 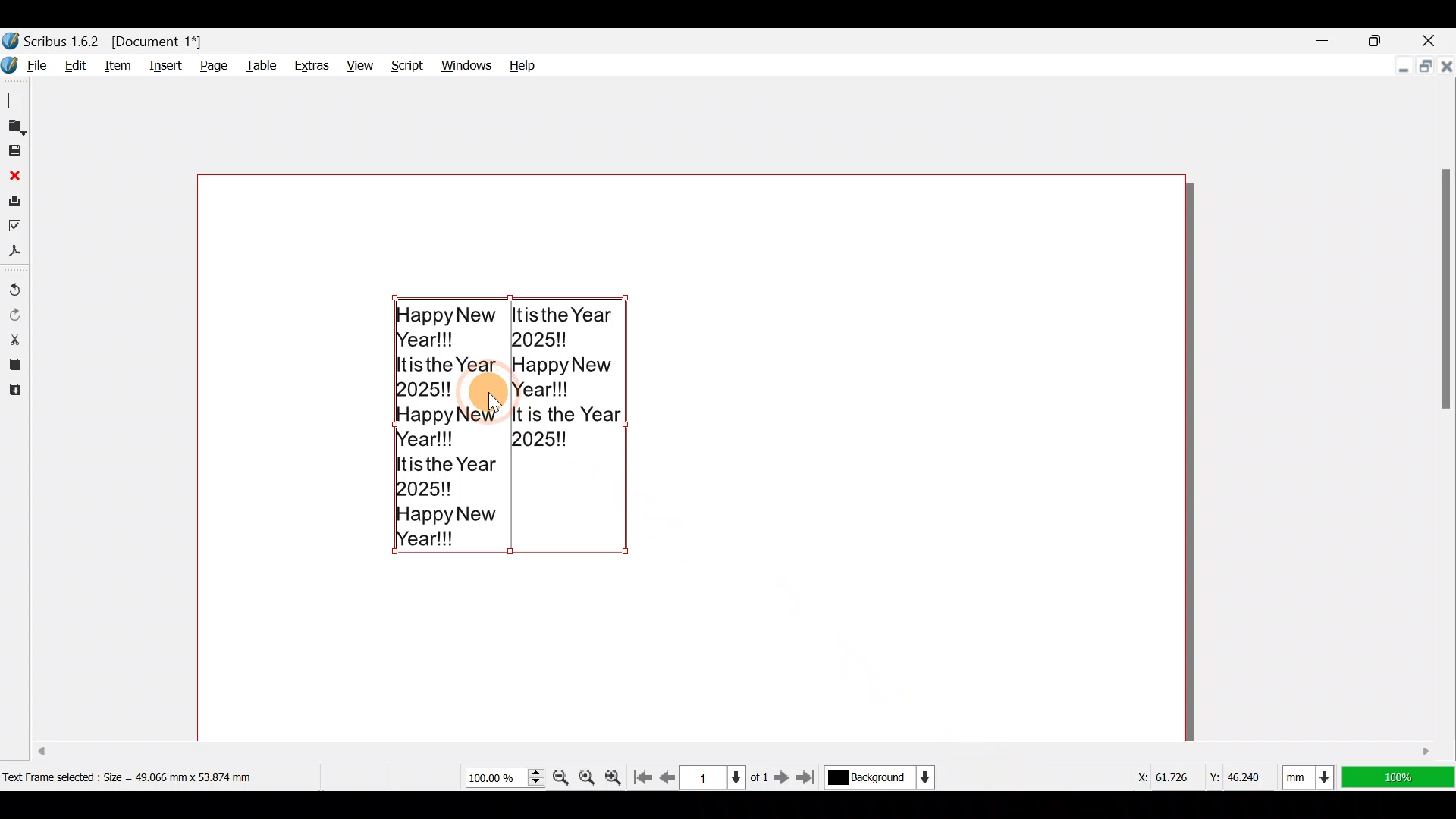 What do you see at coordinates (163, 65) in the screenshot?
I see `Insert` at bounding box center [163, 65].